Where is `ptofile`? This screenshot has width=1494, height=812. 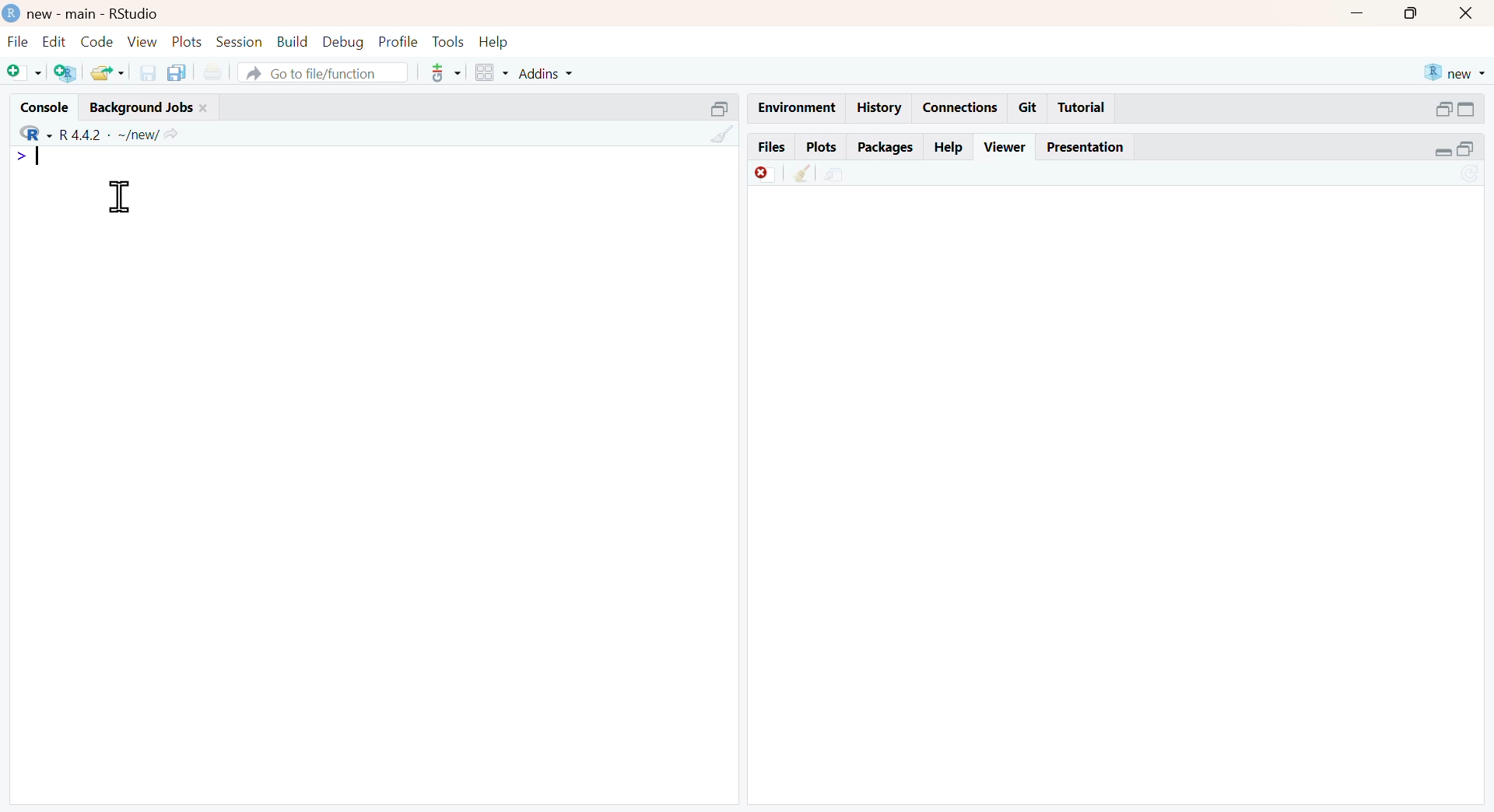 ptofile is located at coordinates (400, 42).